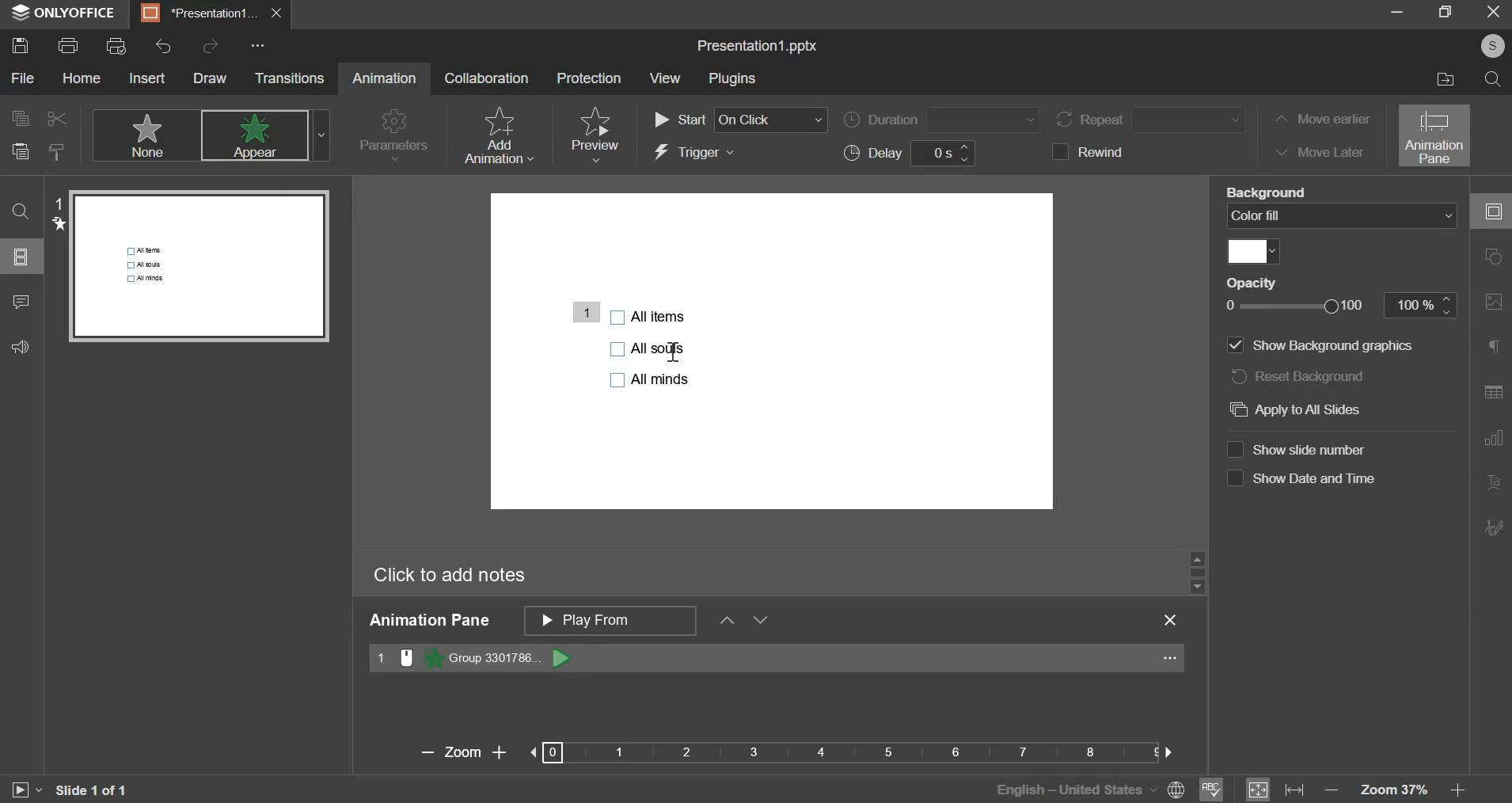 Image resolution: width=1512 pixels, height=803 pixels. I want to click on plugins, so click(731, 79).